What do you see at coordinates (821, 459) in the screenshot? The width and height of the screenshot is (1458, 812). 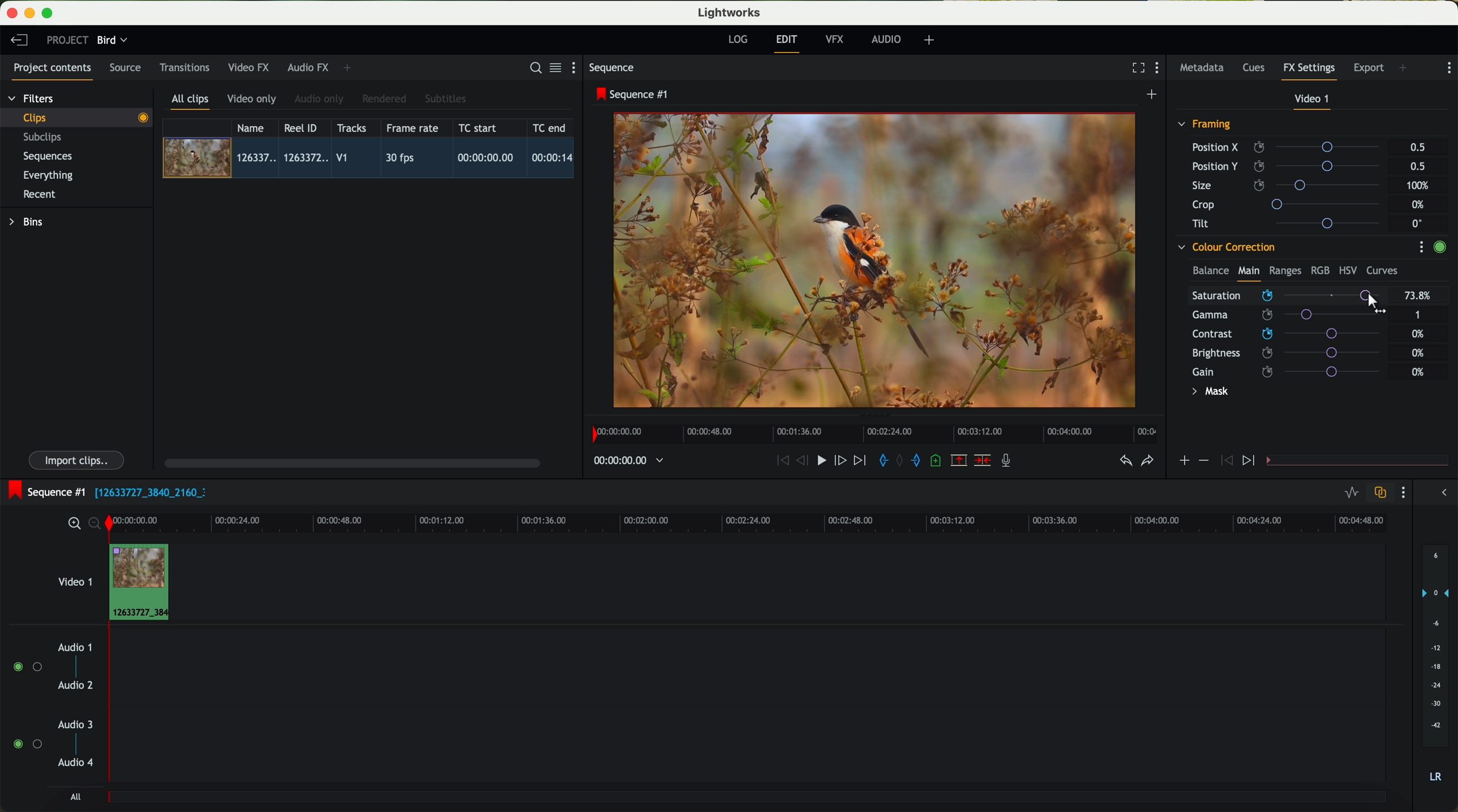 I see `play` at bounding box center [821, 459].